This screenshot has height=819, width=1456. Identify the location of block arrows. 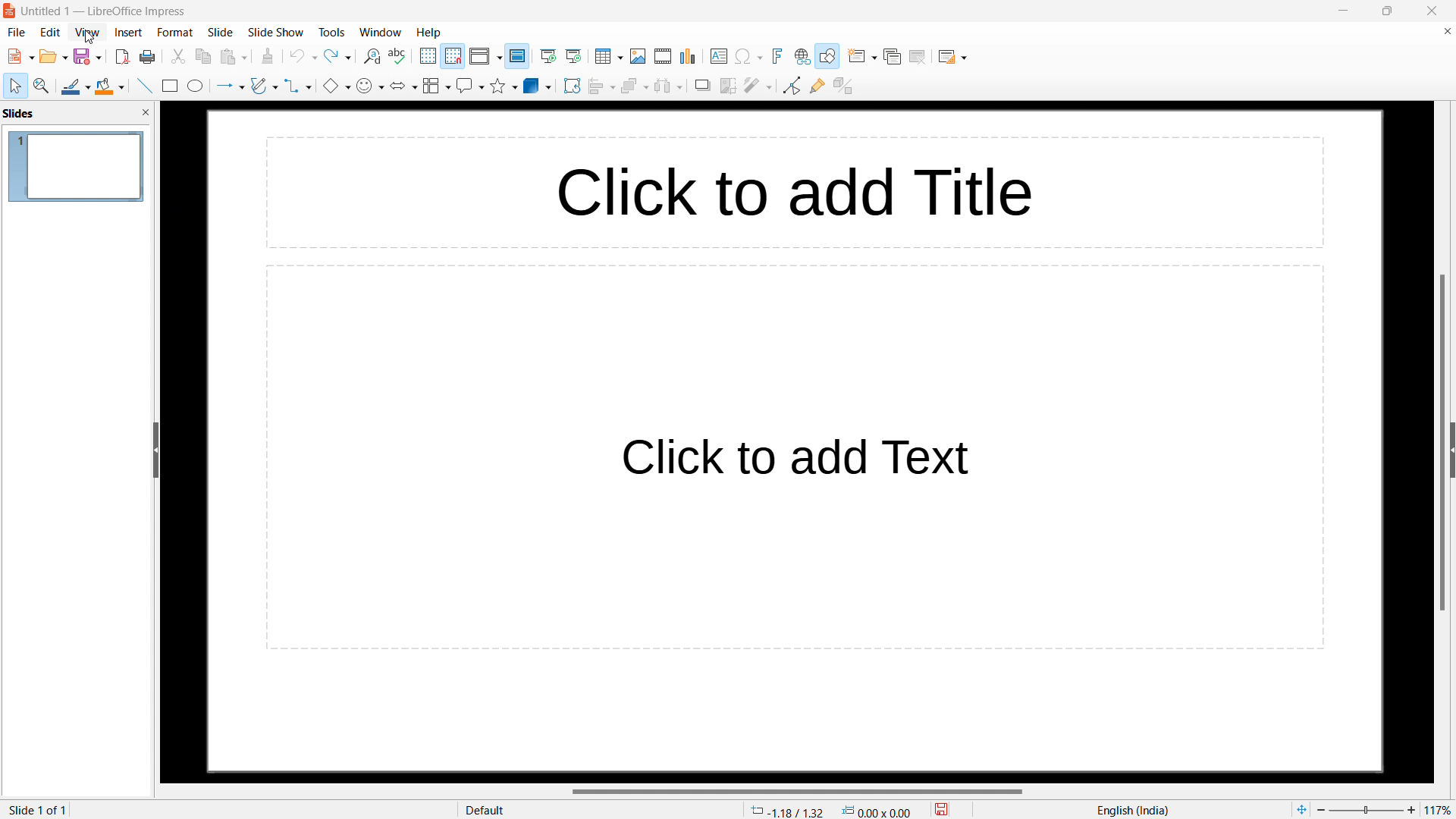
(403, 85).